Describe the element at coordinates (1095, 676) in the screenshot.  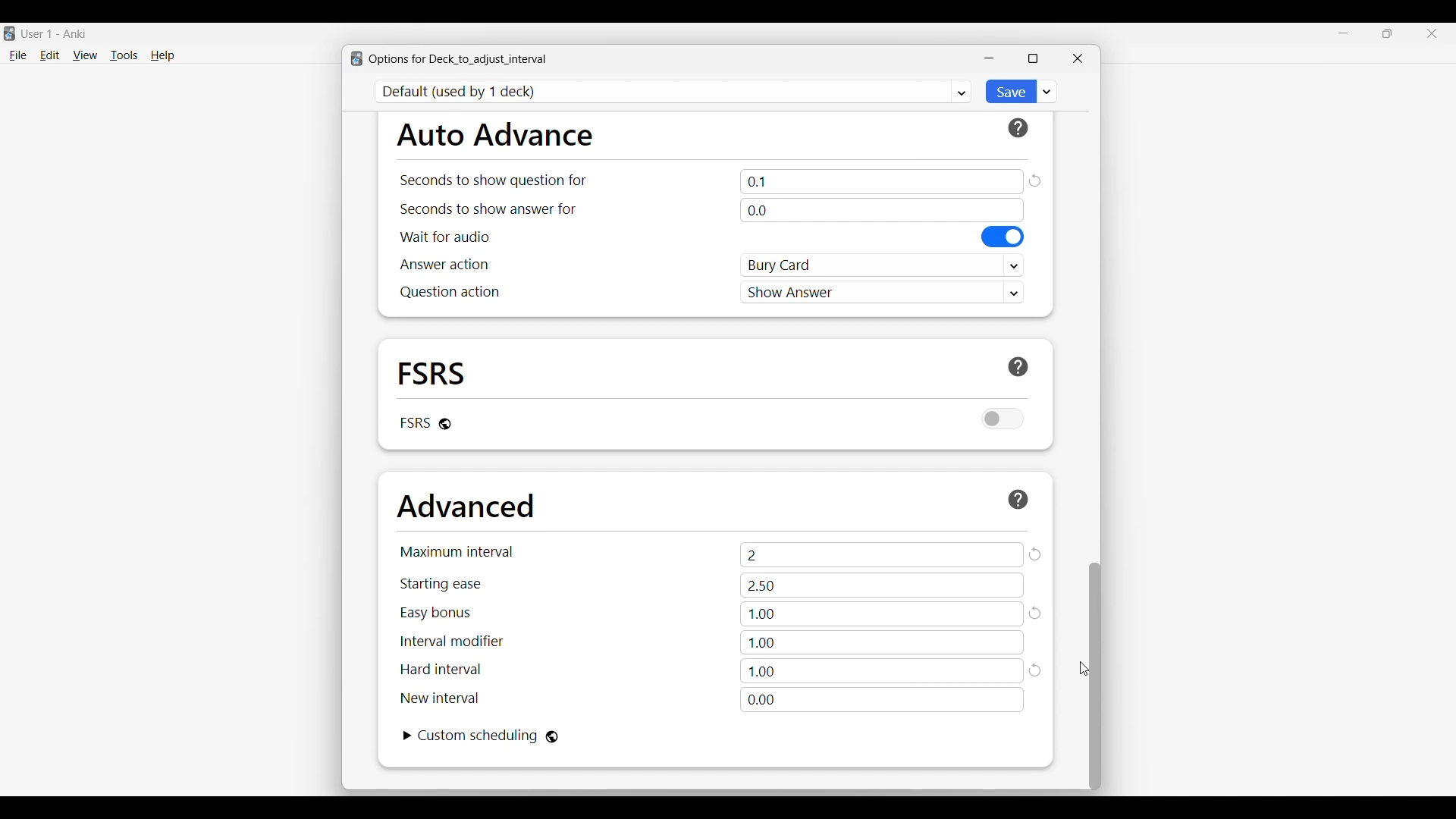
I see `Vertical slide bar` at that location.